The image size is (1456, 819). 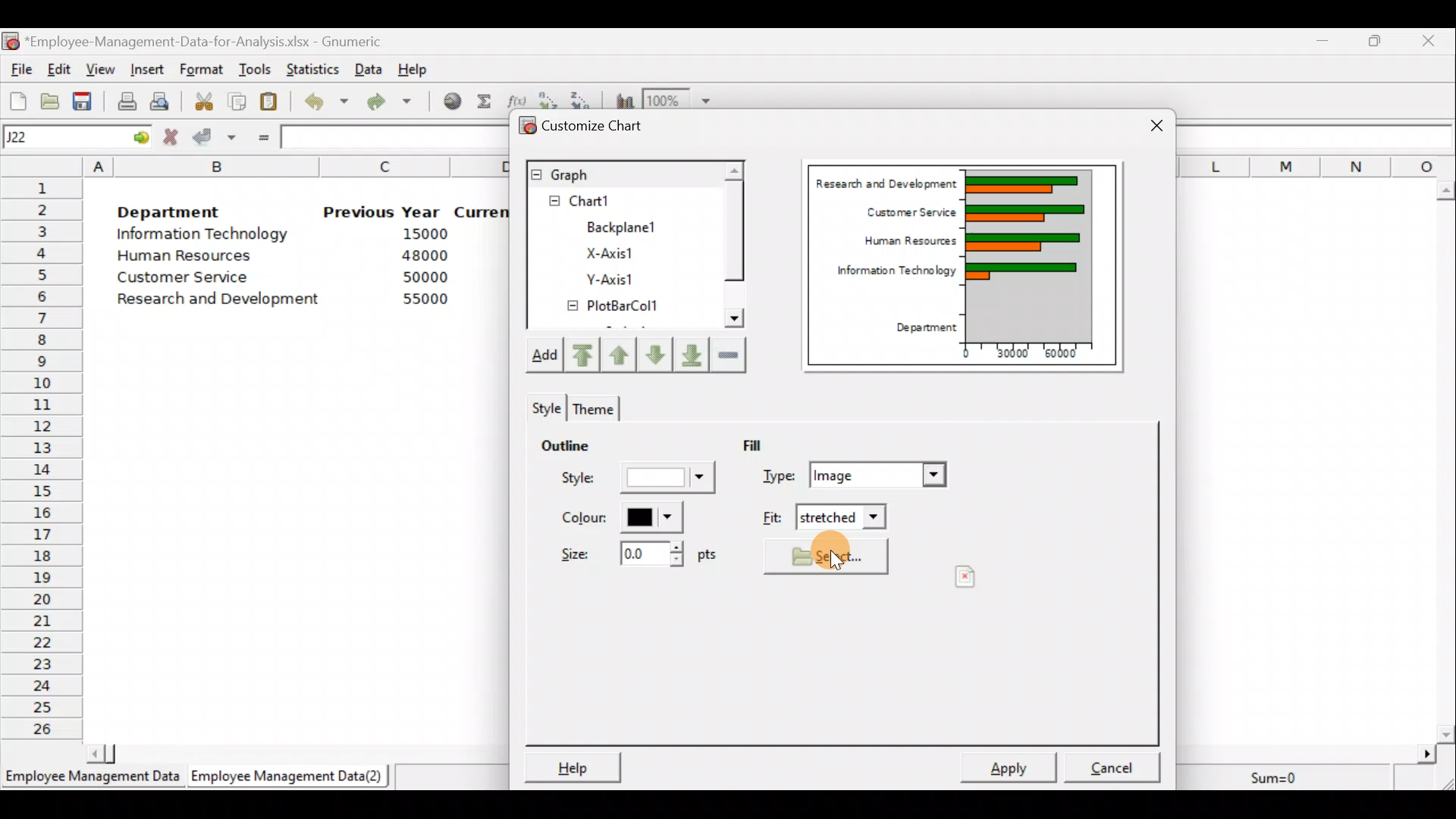 I want to click on Close, so click(x=1147, y=121).